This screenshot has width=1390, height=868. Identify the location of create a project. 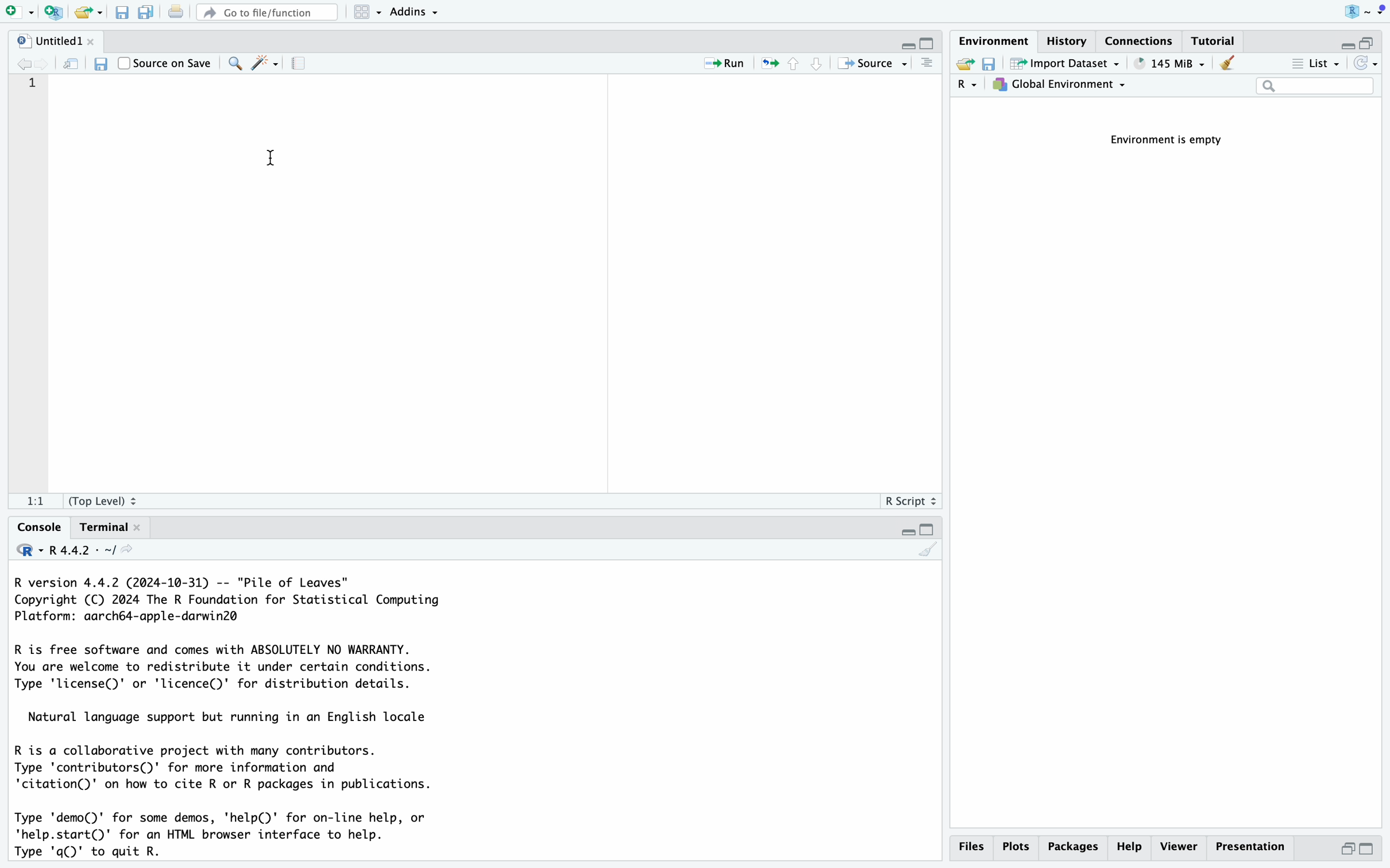
(52, 11).